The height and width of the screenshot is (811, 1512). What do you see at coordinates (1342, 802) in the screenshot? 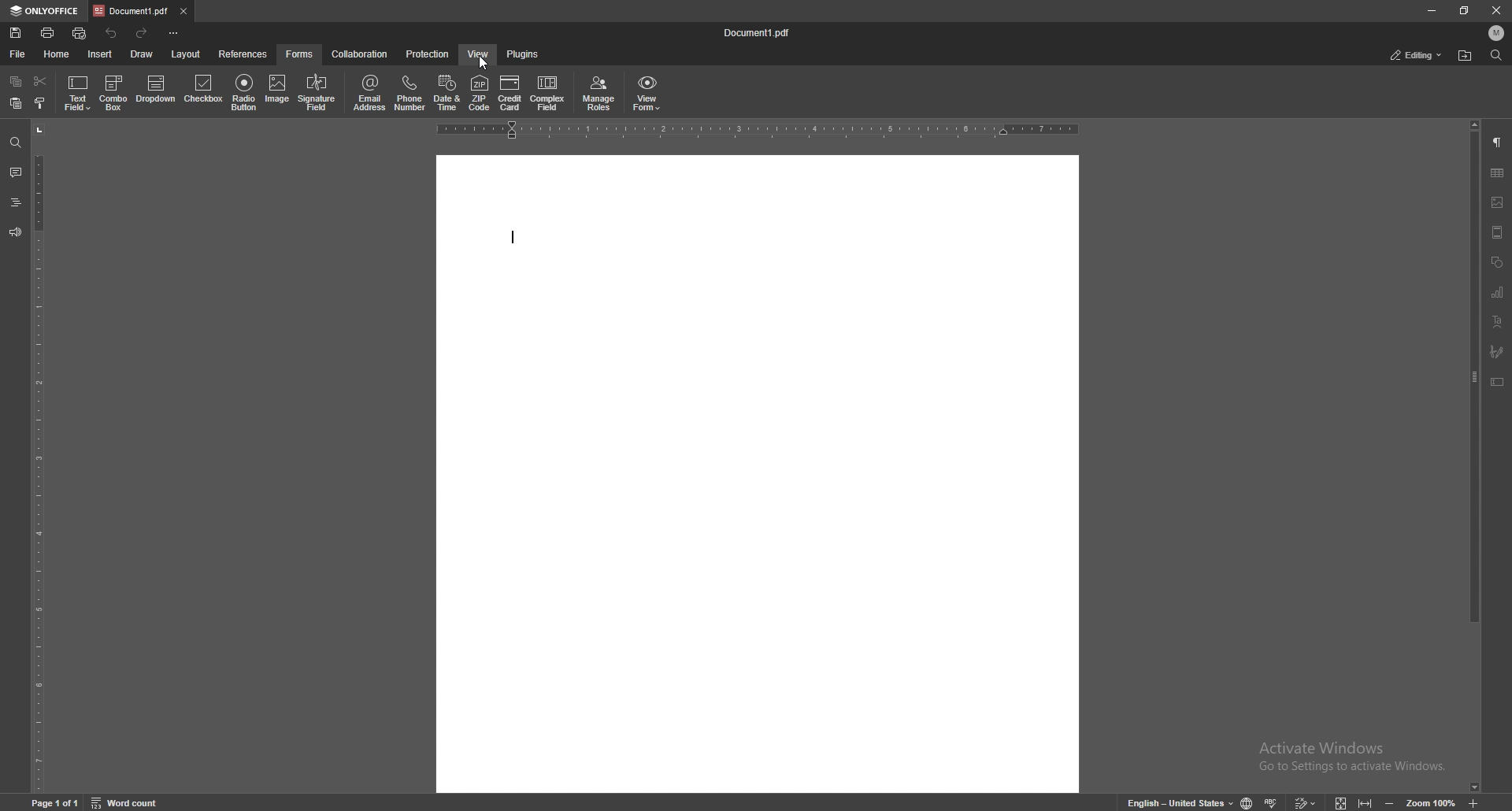
I see `fit to screen` at bounding box center [1342, 802].